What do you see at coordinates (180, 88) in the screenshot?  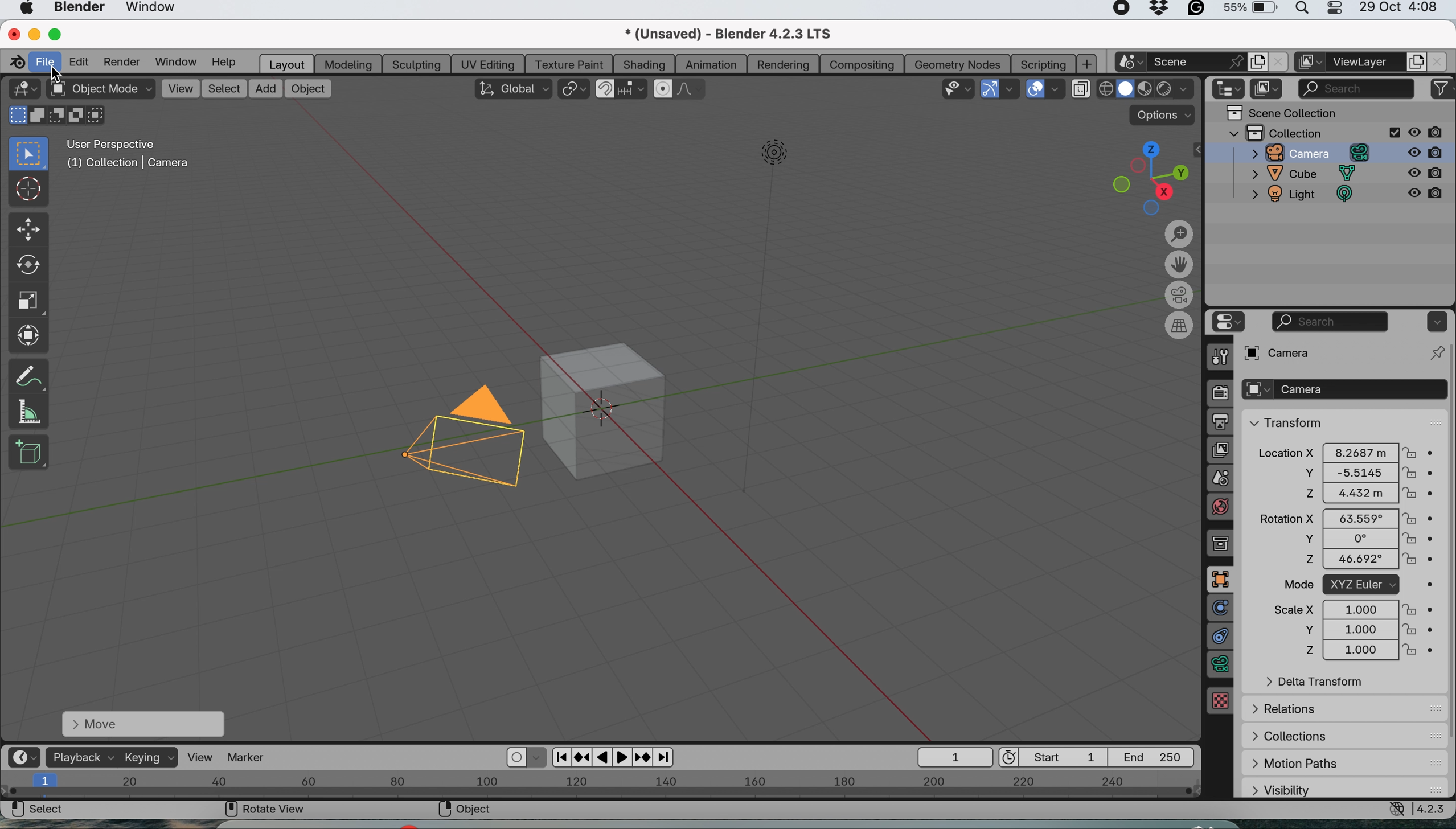 I see `view` at bounding box center [180, 88].